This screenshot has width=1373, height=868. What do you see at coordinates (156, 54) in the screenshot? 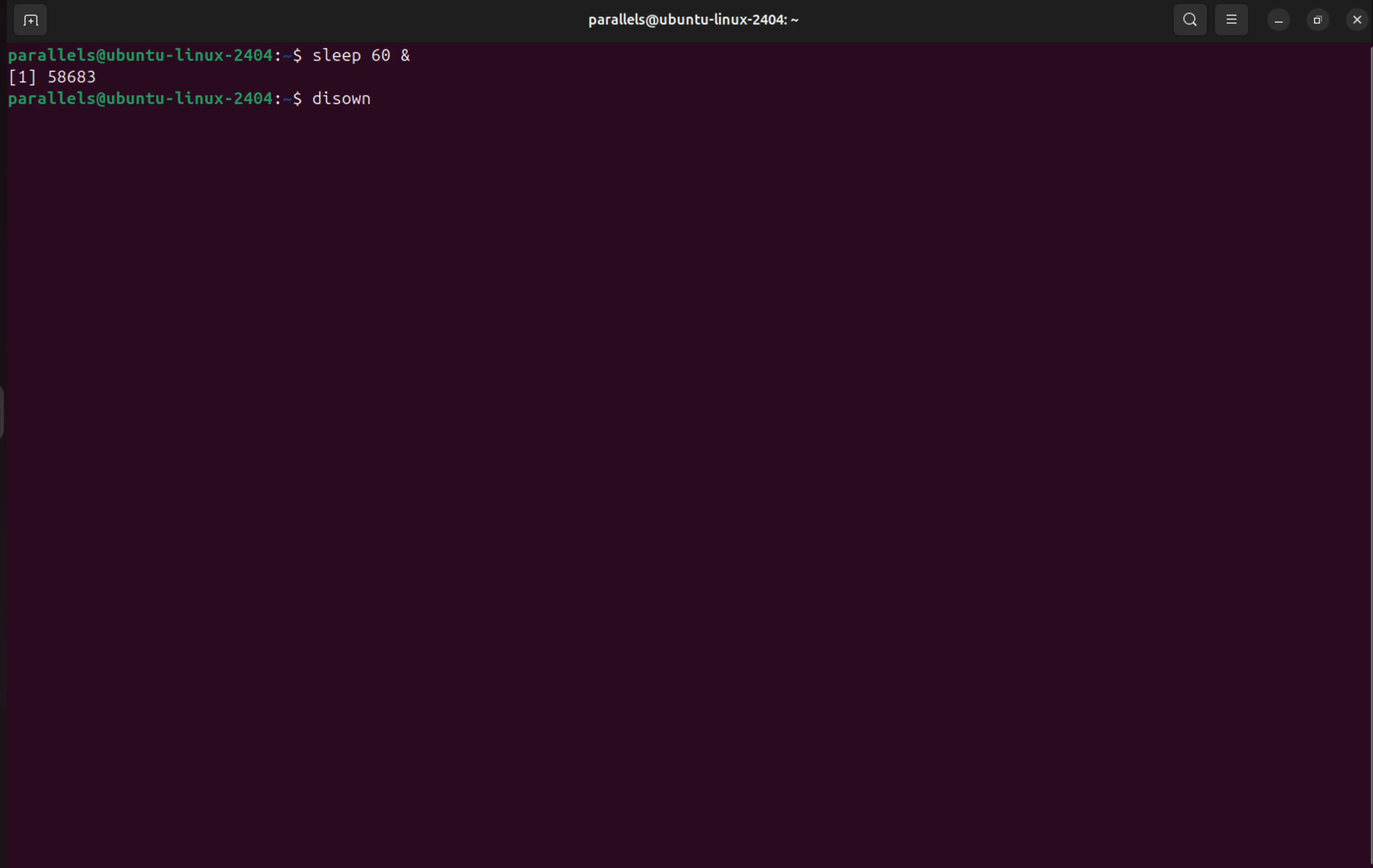
I see `parallels@ubuntu-linux-2404: ~$` at bounding box center [156, 54].